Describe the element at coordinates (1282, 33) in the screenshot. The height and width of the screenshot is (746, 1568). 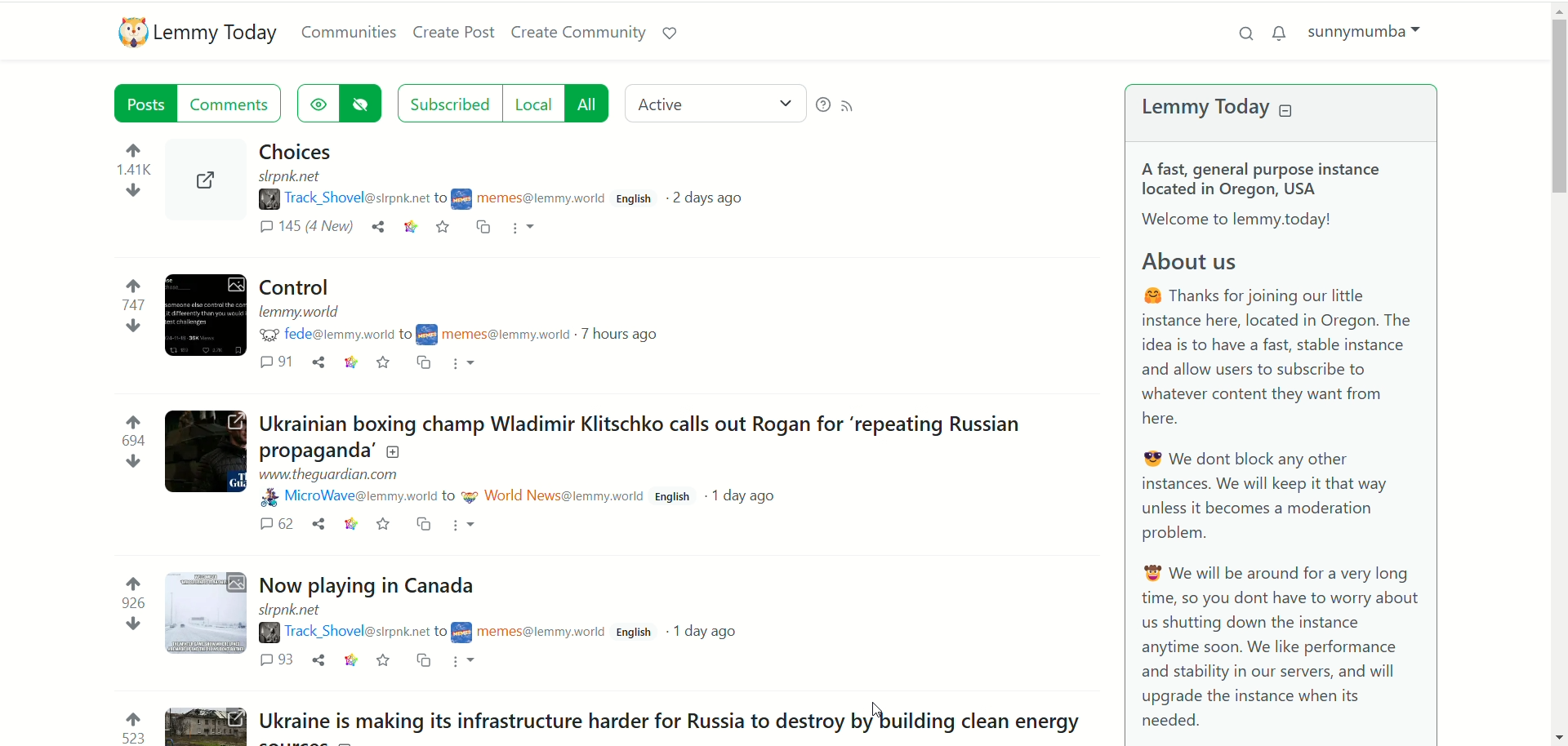
I see `notification` at that location.